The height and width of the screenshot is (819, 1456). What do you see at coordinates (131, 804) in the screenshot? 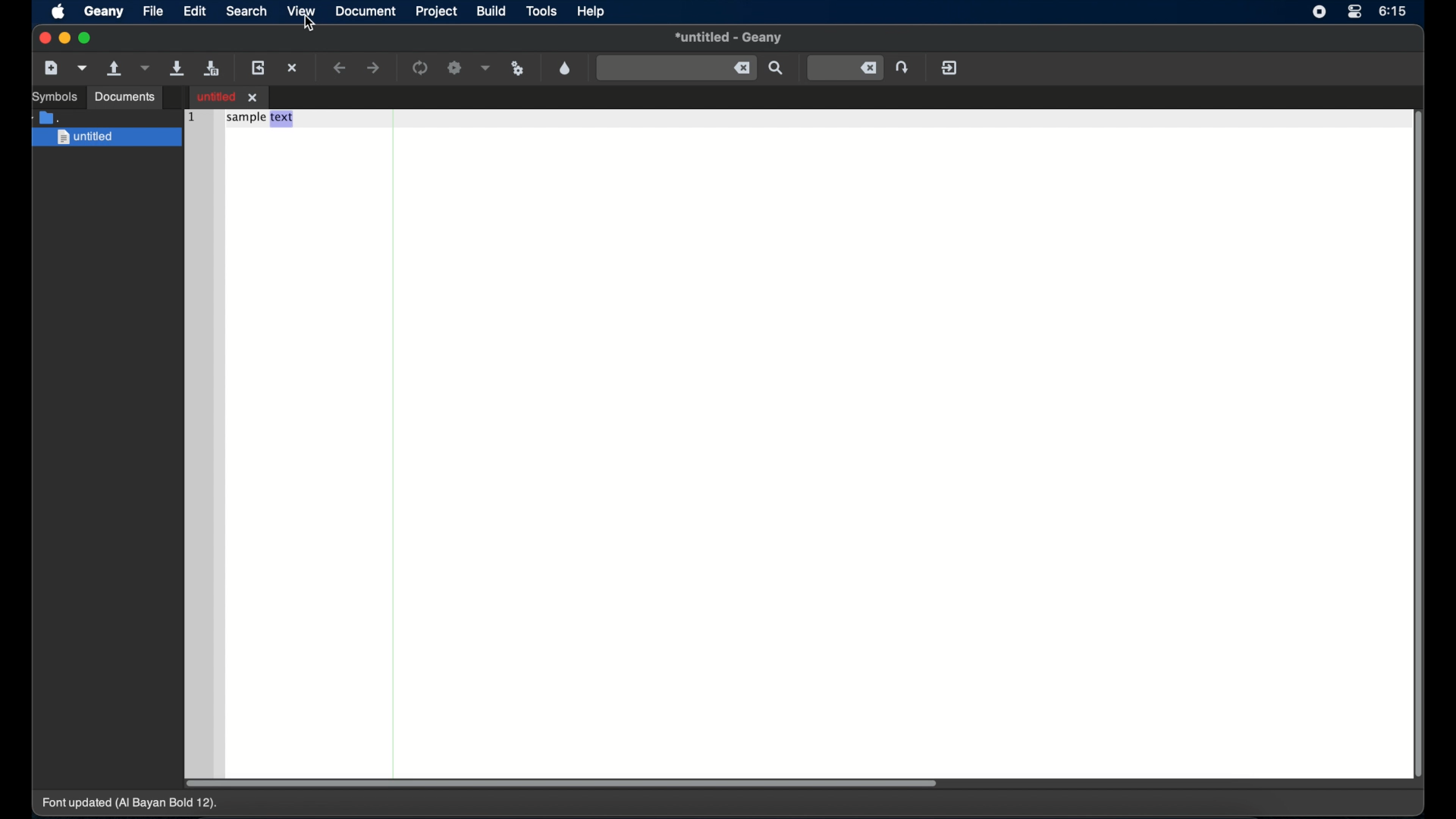
I see `font updated (AI Bayan Bold 12).` at bounding box center [131, 804].